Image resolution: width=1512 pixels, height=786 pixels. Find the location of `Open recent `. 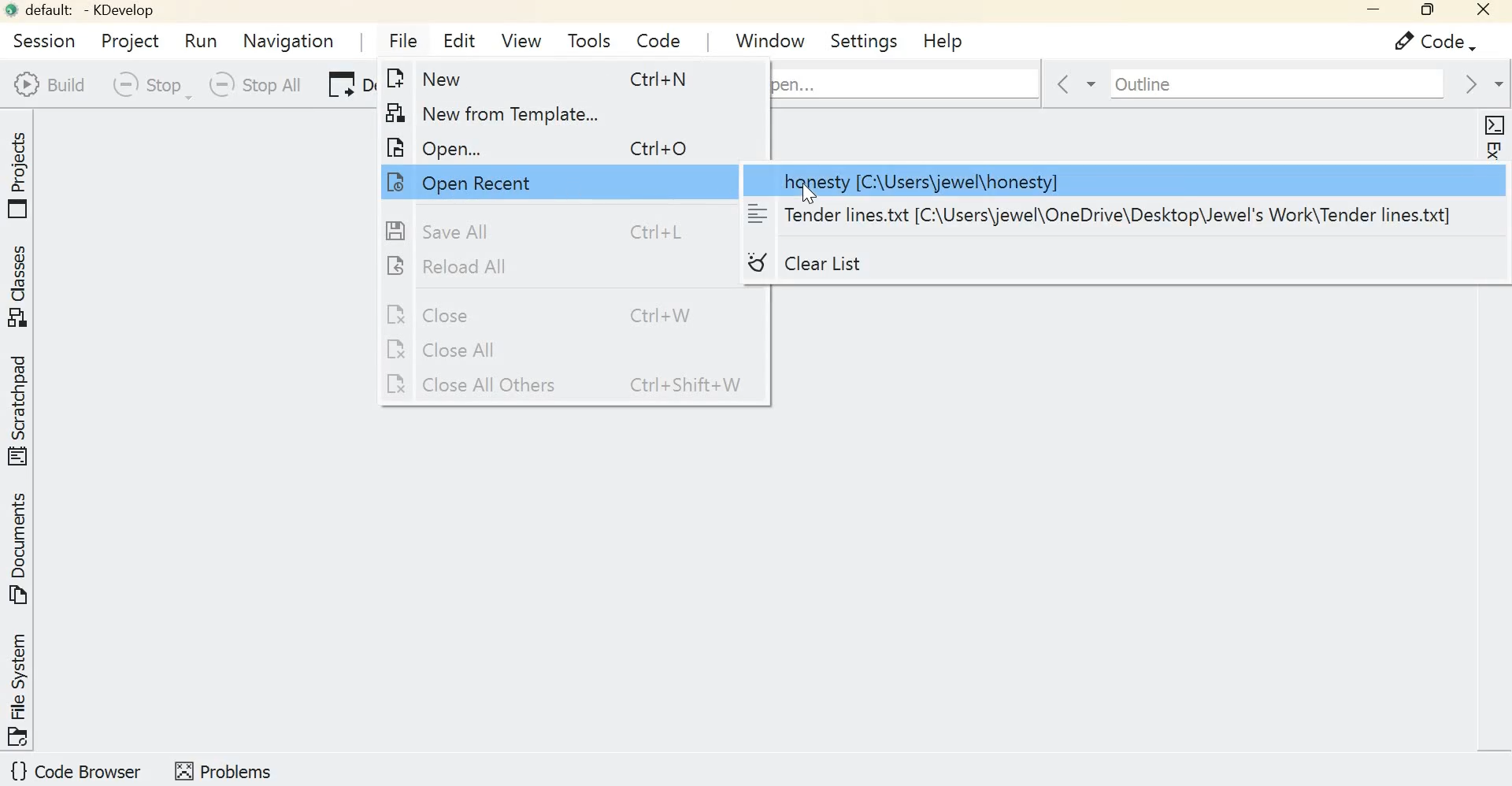

Open recent  is located at coordinates (528, 181).